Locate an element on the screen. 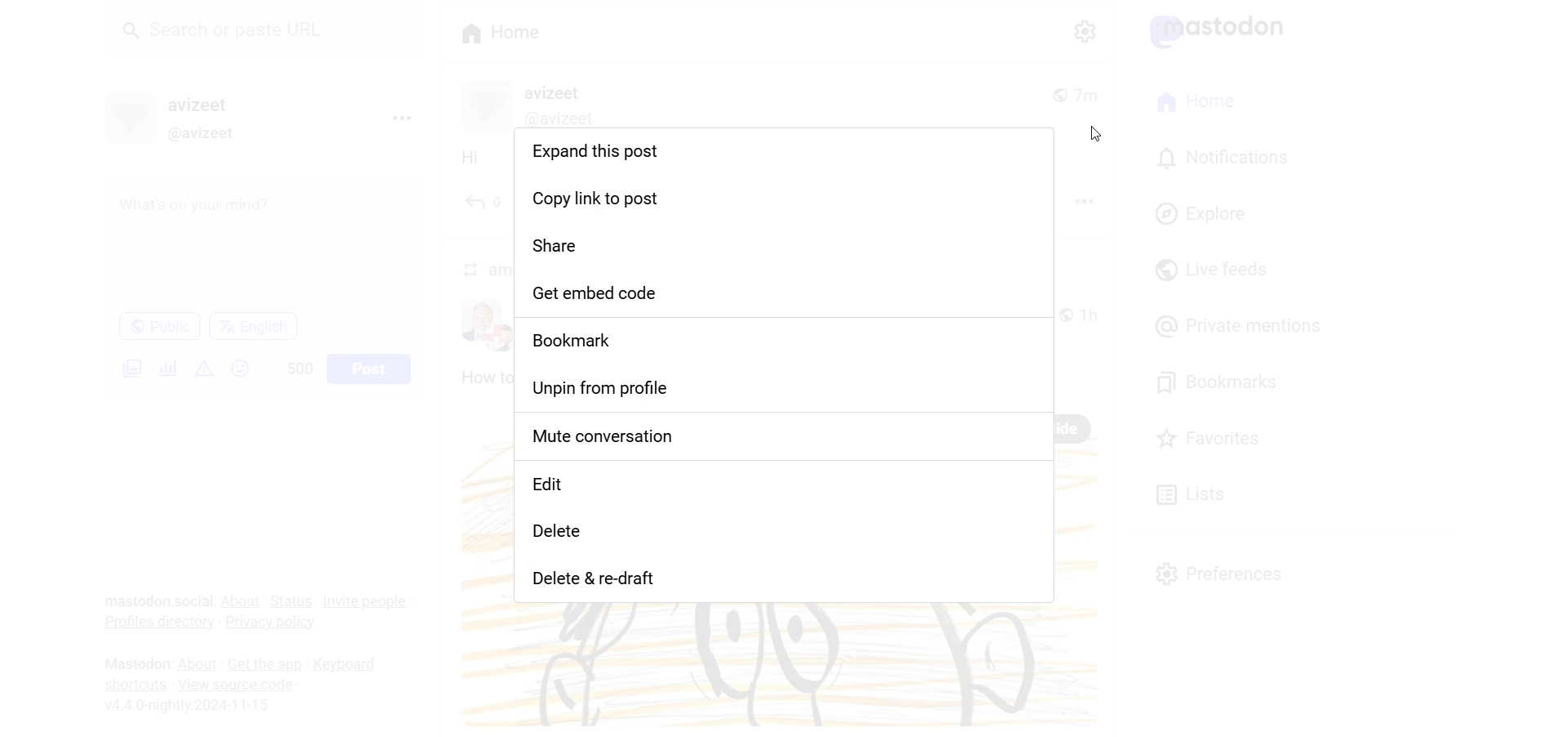 The width and height of the screenshot is (1568, 737). Post Pinned to Profile, now getting option to Unpin from Profile is located at coordinates (791, 390).